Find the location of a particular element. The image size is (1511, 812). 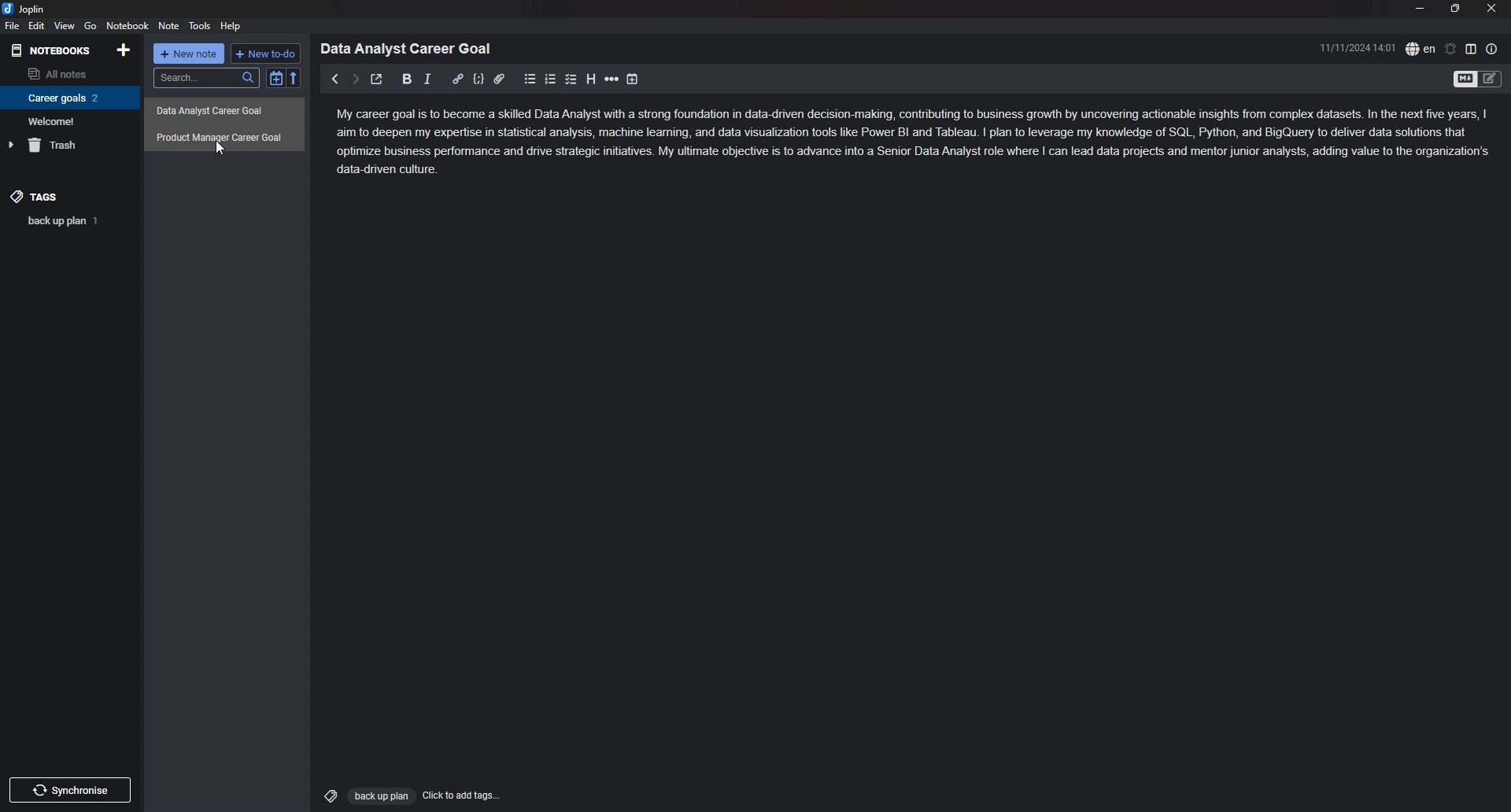

resize is located at coordinates (1456, 8).